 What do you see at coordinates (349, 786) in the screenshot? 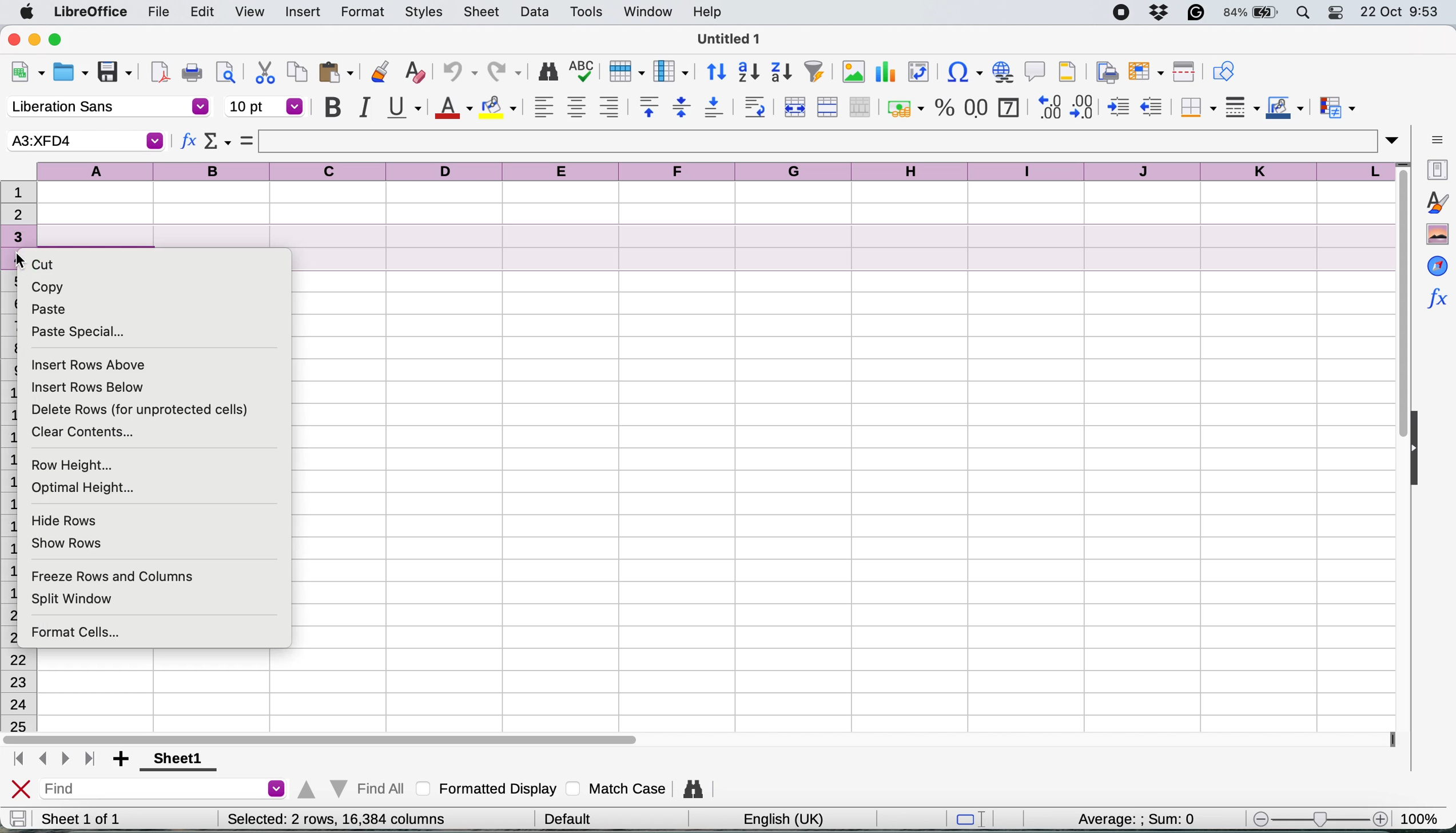
I see `find all` at bounding box center [349, 786].